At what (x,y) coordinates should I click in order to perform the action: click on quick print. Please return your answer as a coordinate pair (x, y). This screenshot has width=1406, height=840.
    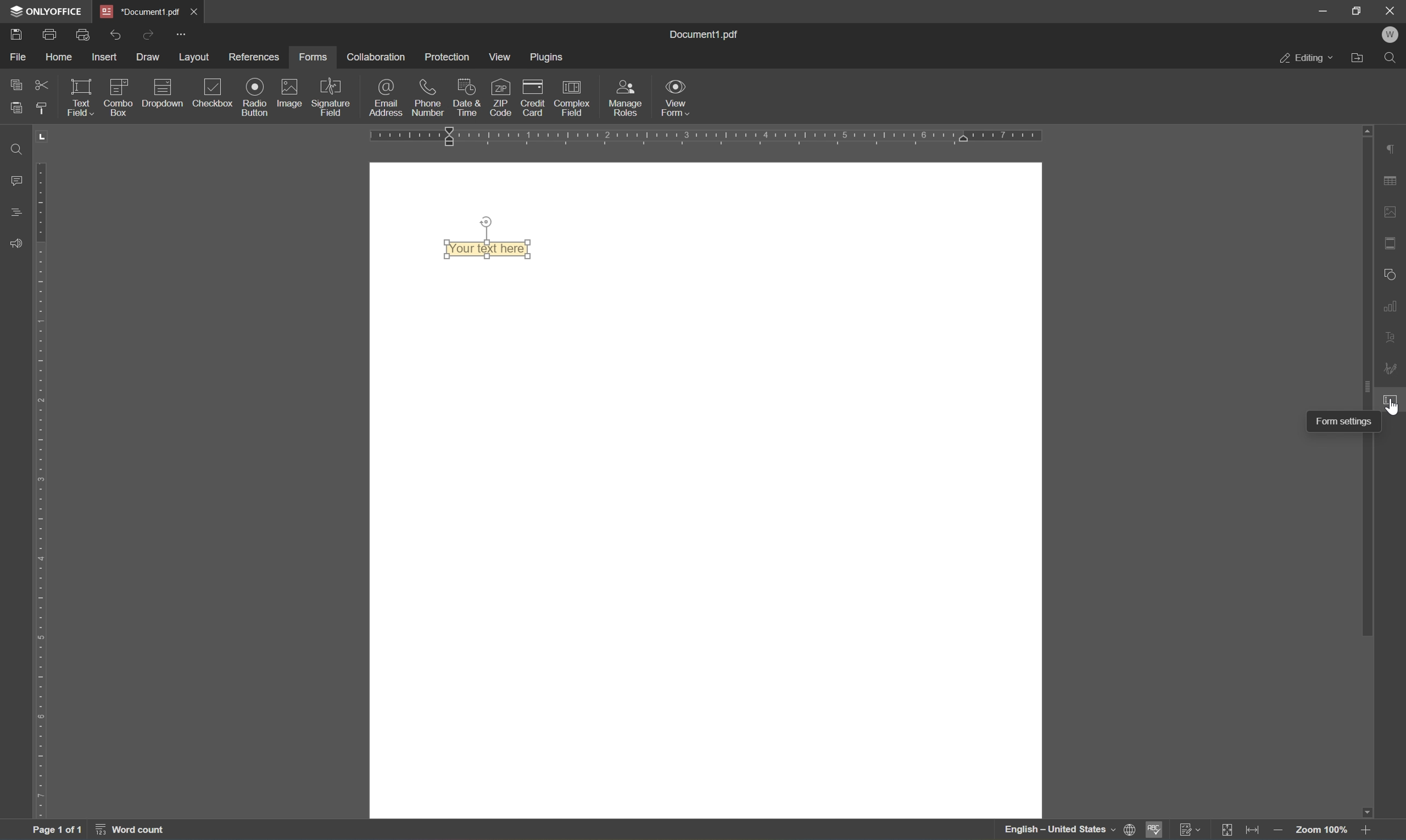
    Looking at the image, I should click on (86, 35).